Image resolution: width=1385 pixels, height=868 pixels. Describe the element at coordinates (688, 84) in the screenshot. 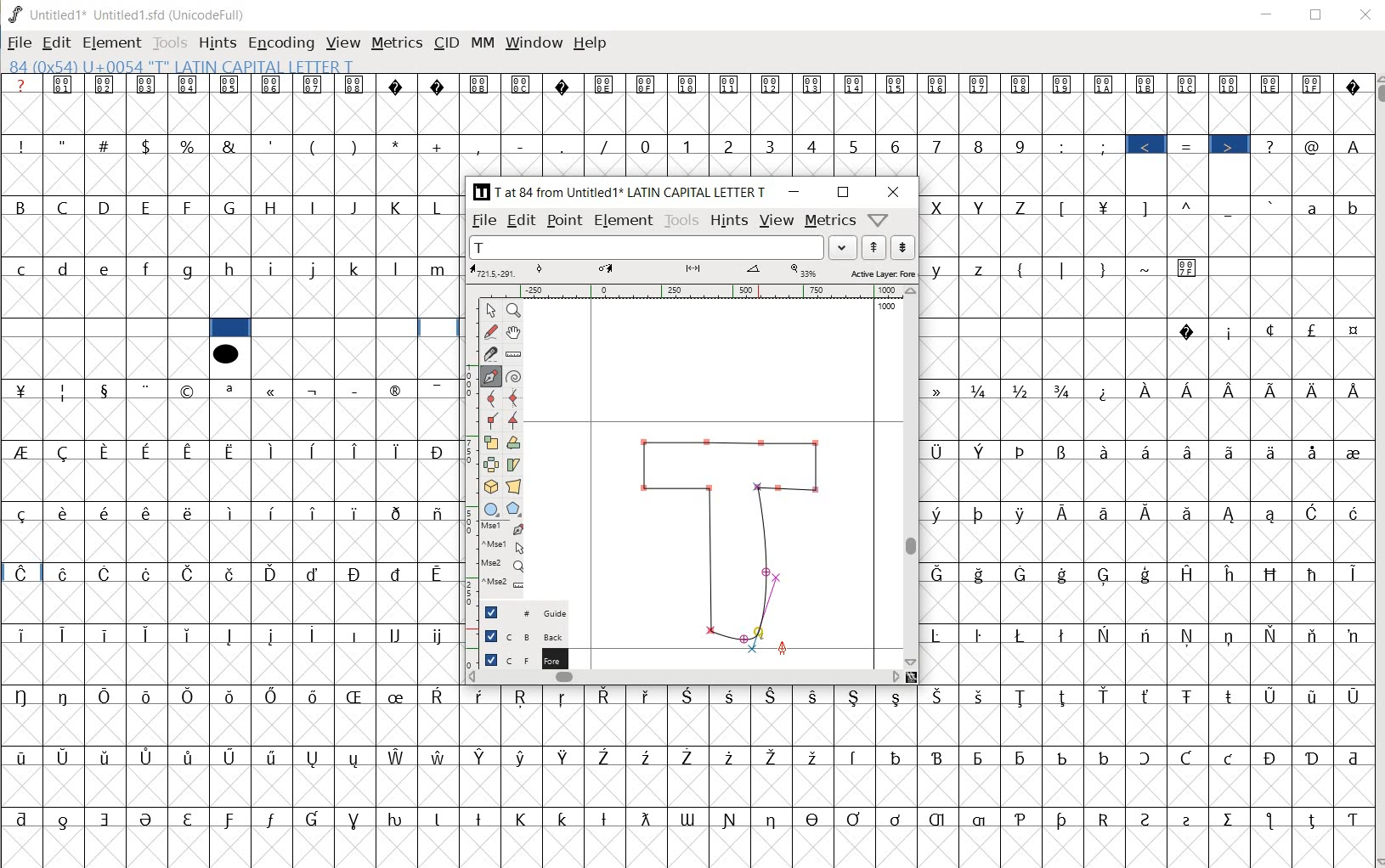

I see `Symbol` at that location.